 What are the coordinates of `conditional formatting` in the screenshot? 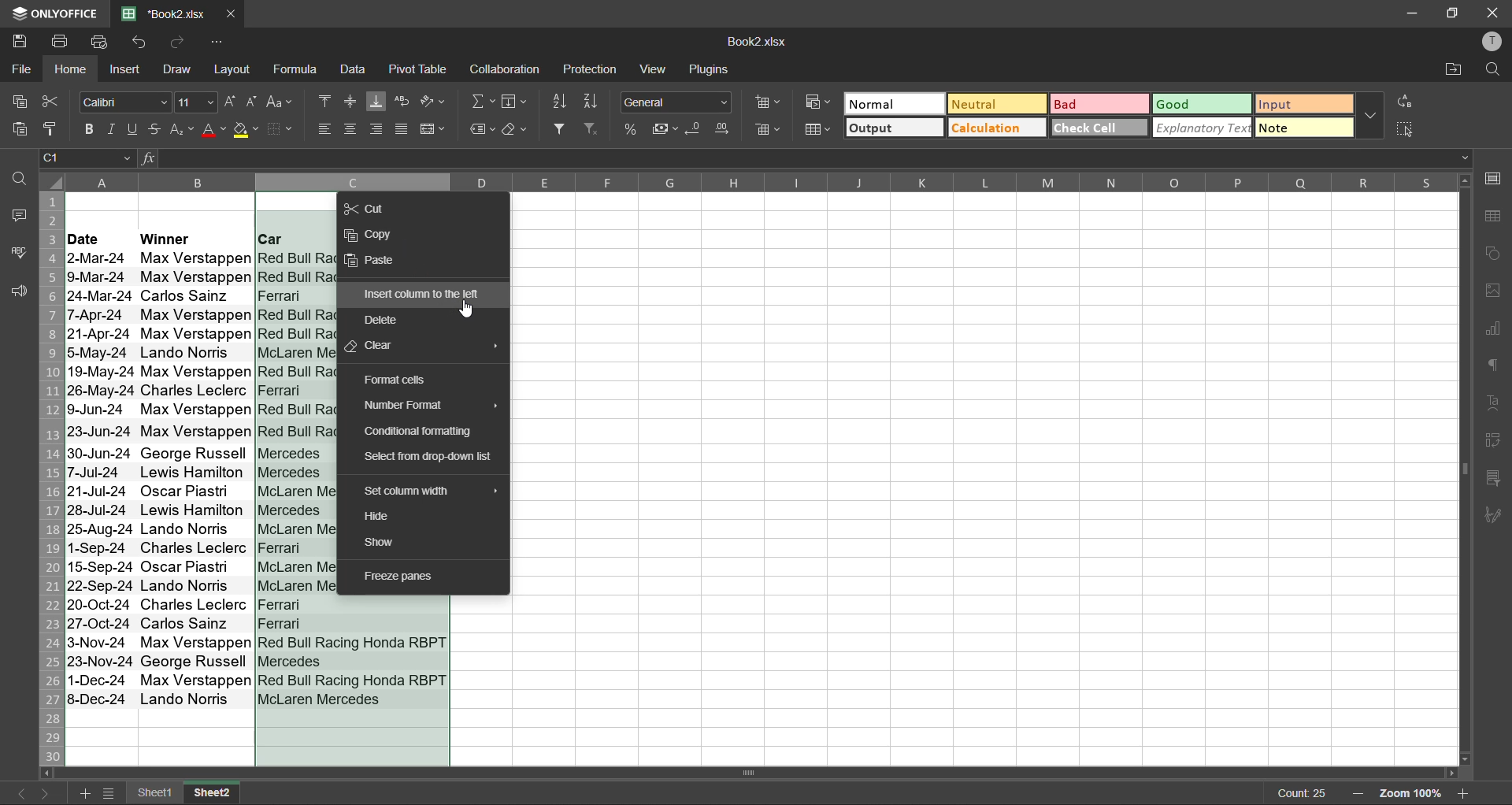 It's located at (425, 432).